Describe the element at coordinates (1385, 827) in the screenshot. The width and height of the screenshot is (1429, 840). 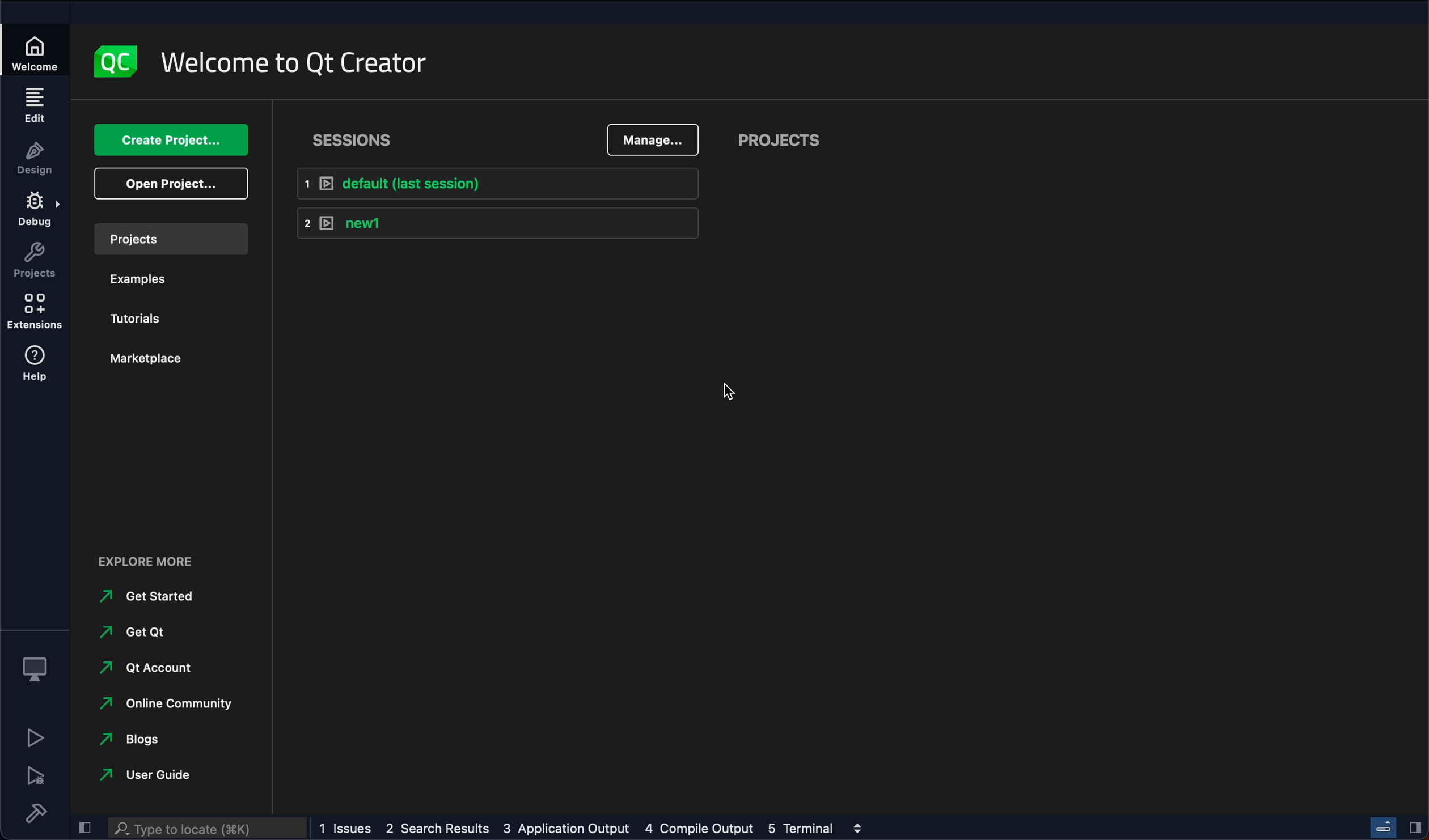
I see `progress bar` at that location.